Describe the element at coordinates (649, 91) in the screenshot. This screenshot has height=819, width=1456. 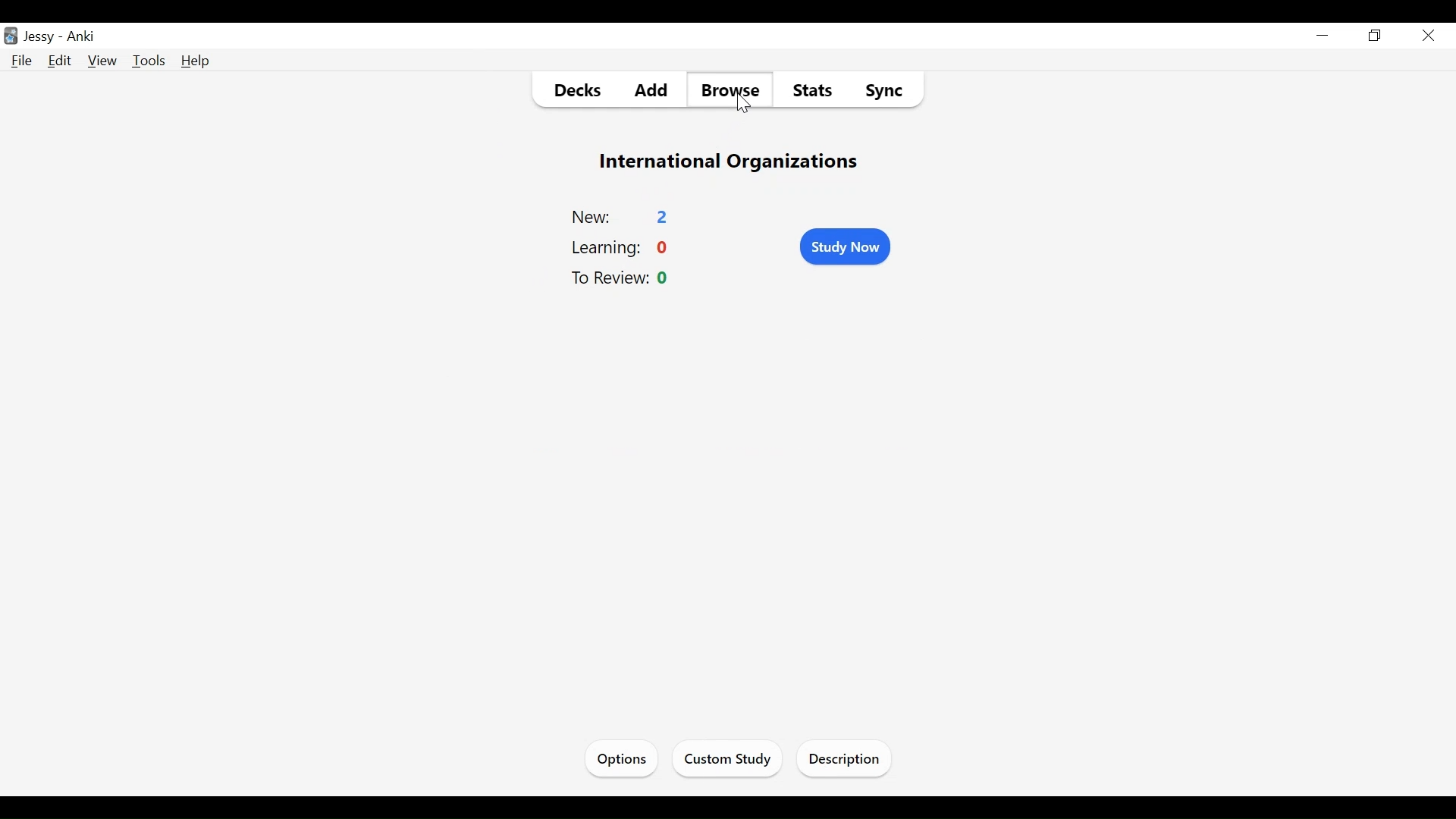
I see `Add` at that location.